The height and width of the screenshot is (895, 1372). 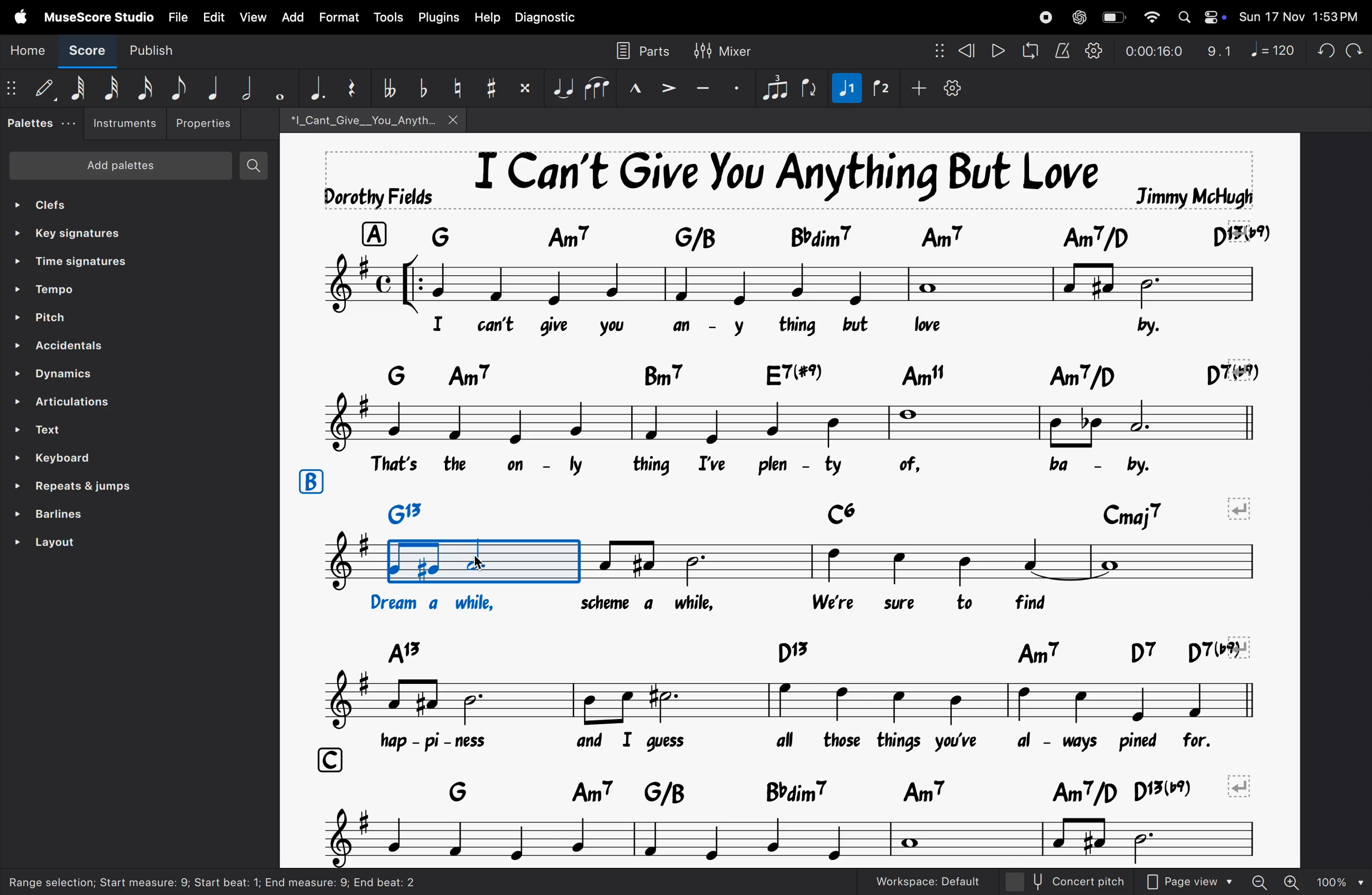 I want to click on musescore studio menu, so click(x=99, y=18).